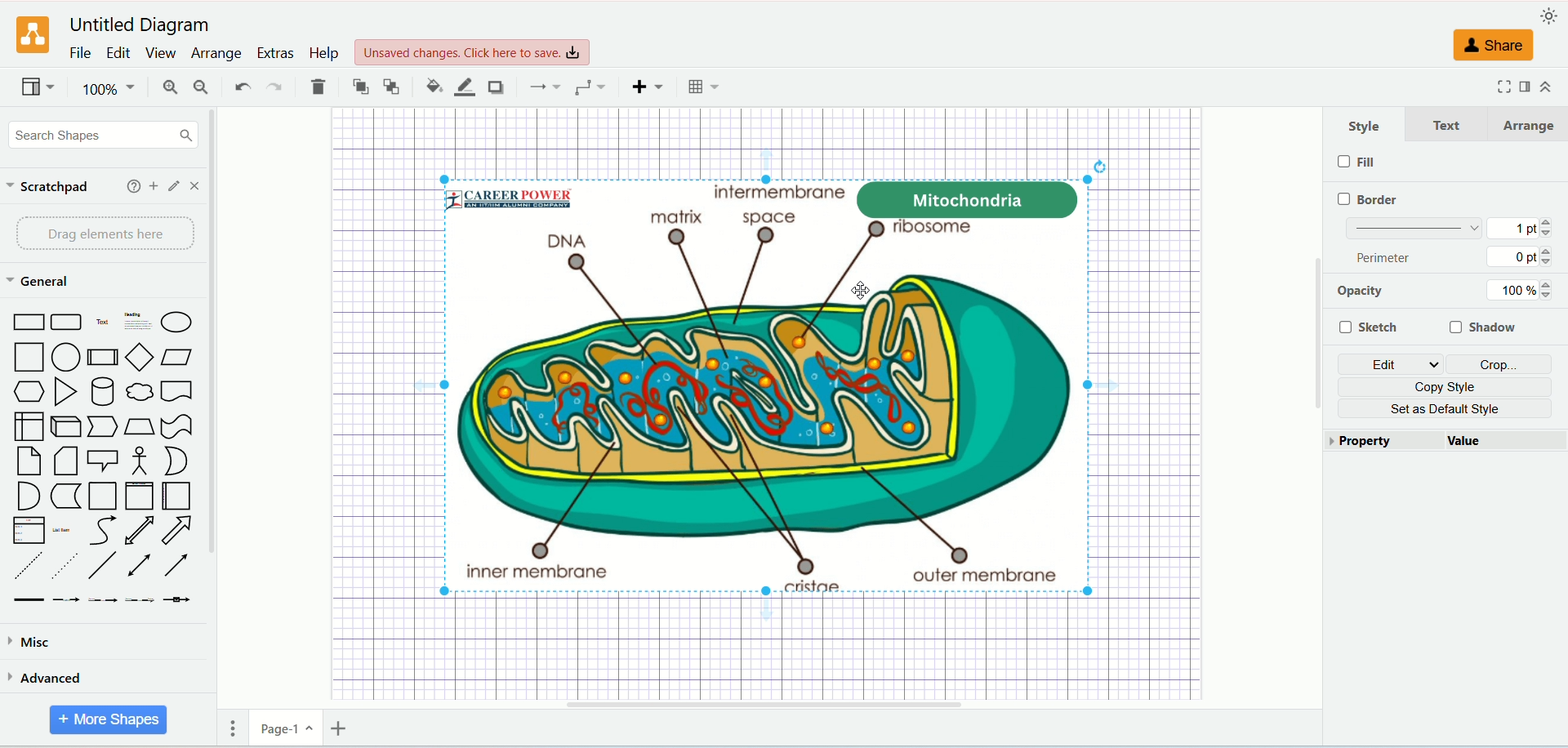 Image resolution: width=1568 pixels, height=748 pixels. I want to click on redo, so click(275, 88).